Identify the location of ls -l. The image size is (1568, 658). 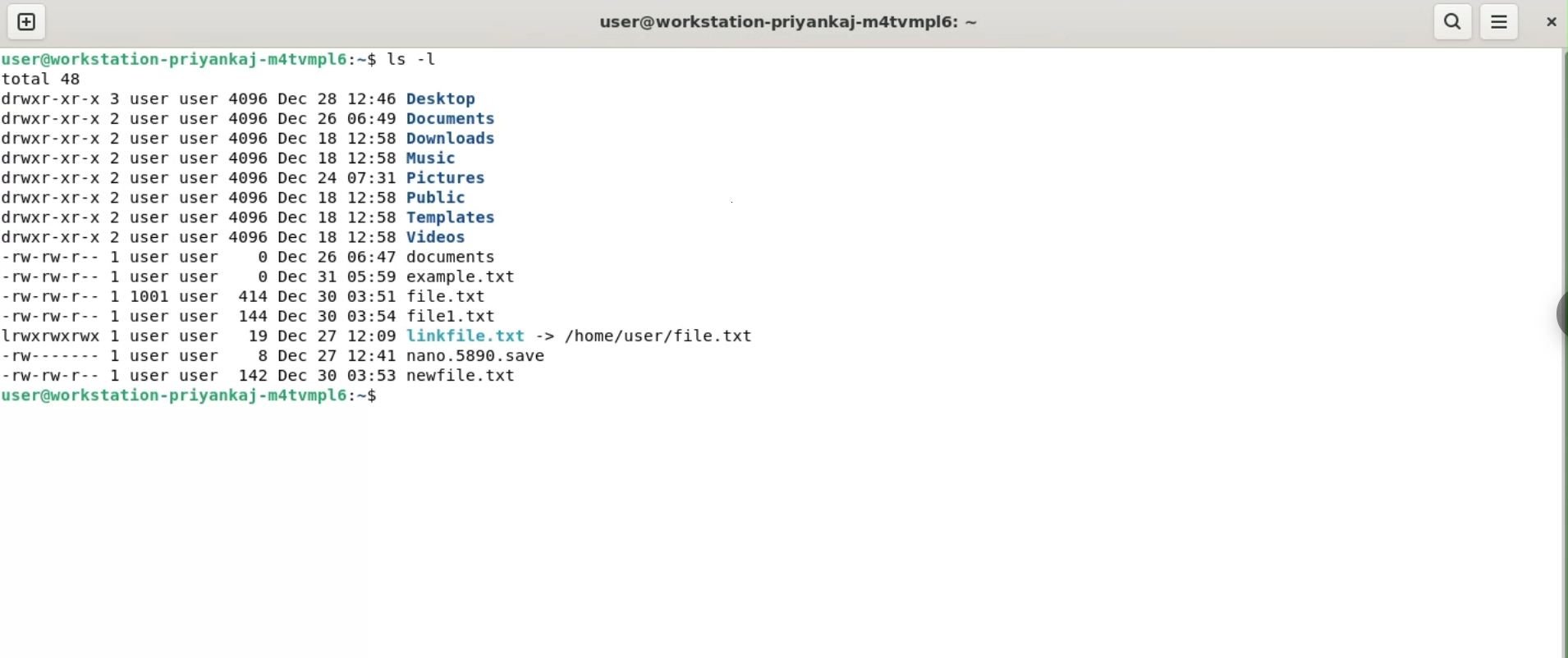
(418, 59).